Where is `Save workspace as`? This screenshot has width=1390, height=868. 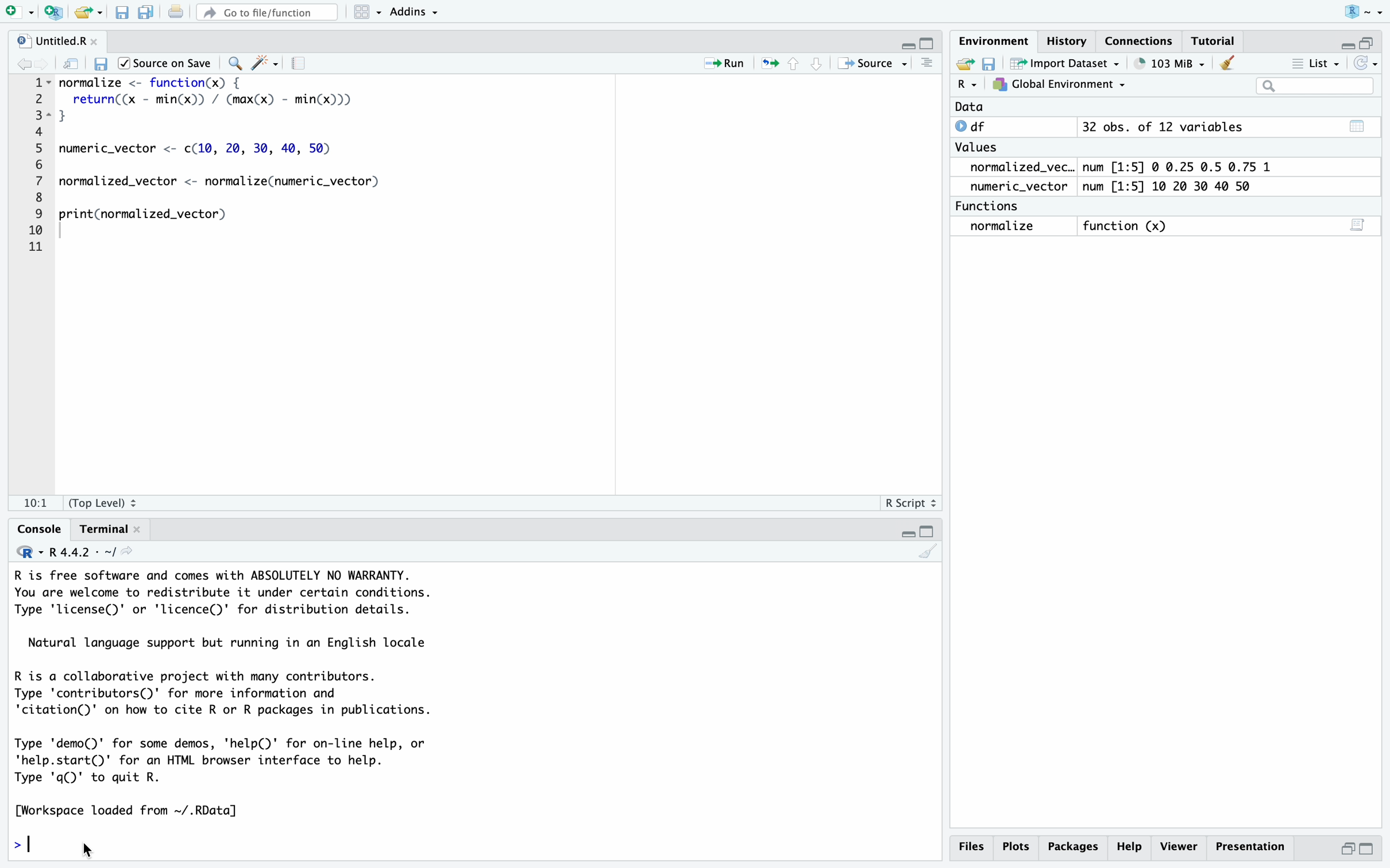 Save workspace as is located at coordinates (990, 62).